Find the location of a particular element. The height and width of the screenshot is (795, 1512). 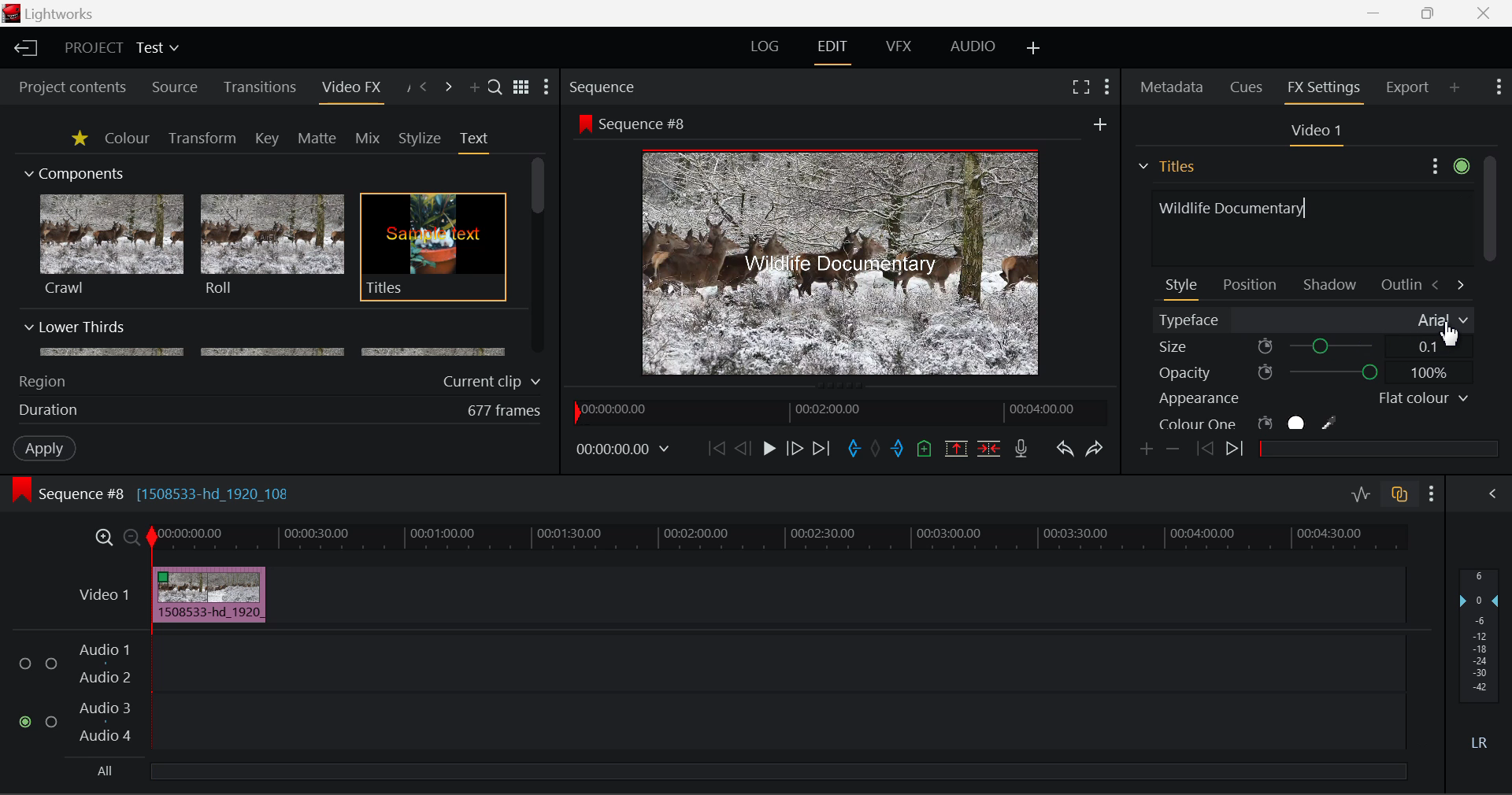

Add Panel is located at coordinates (472, 88).